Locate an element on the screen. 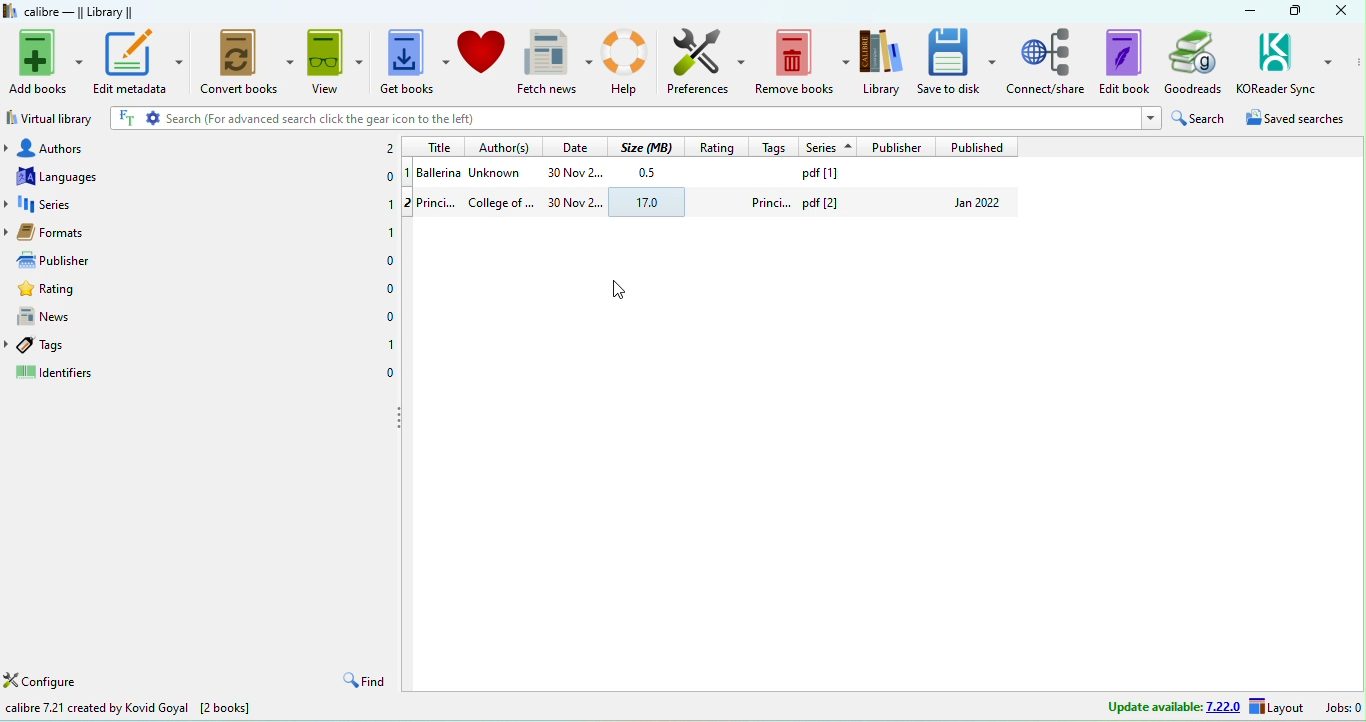 The height and width of the screenshot is (722, 1366). calibre -library is located at coordinates (80, 11).